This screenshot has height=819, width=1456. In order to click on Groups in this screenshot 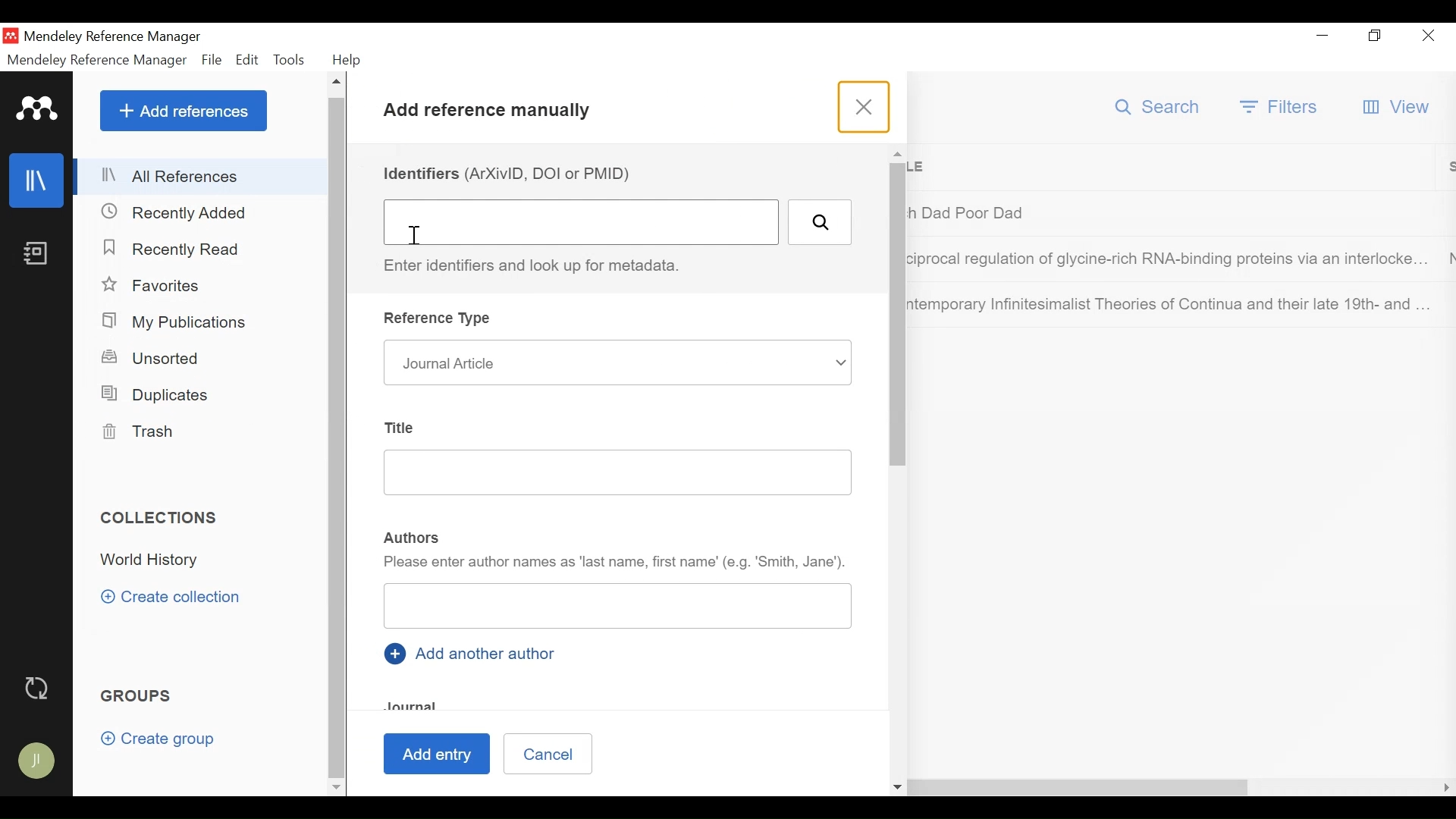, I will do `click(140, 696)`.